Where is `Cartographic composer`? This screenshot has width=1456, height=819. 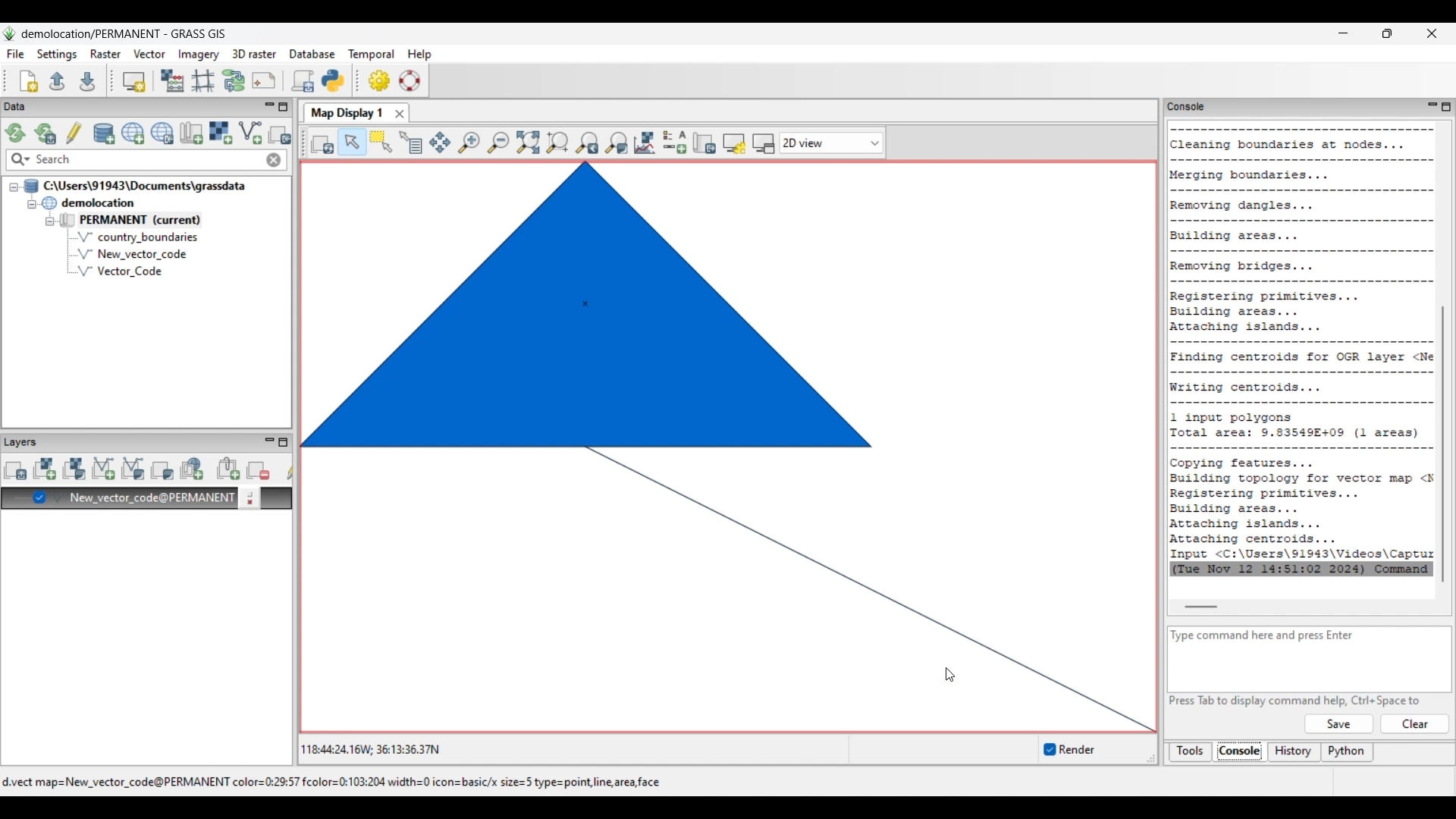
Cartographic composer is located at coordinates (264, 81).